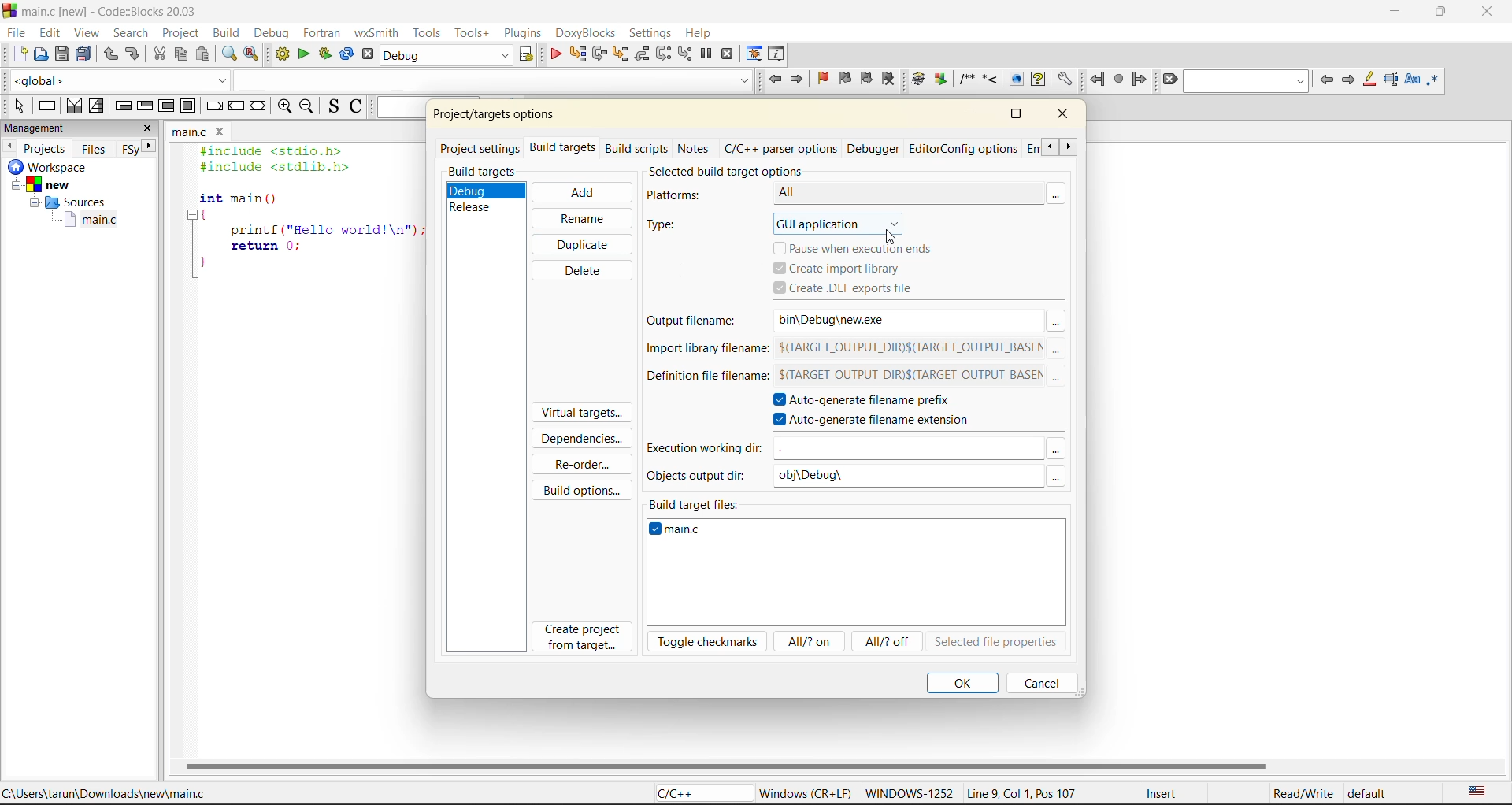  Describe the element at coordinates (865, 77) in the screenshot. I see `next bookmark` at that location.